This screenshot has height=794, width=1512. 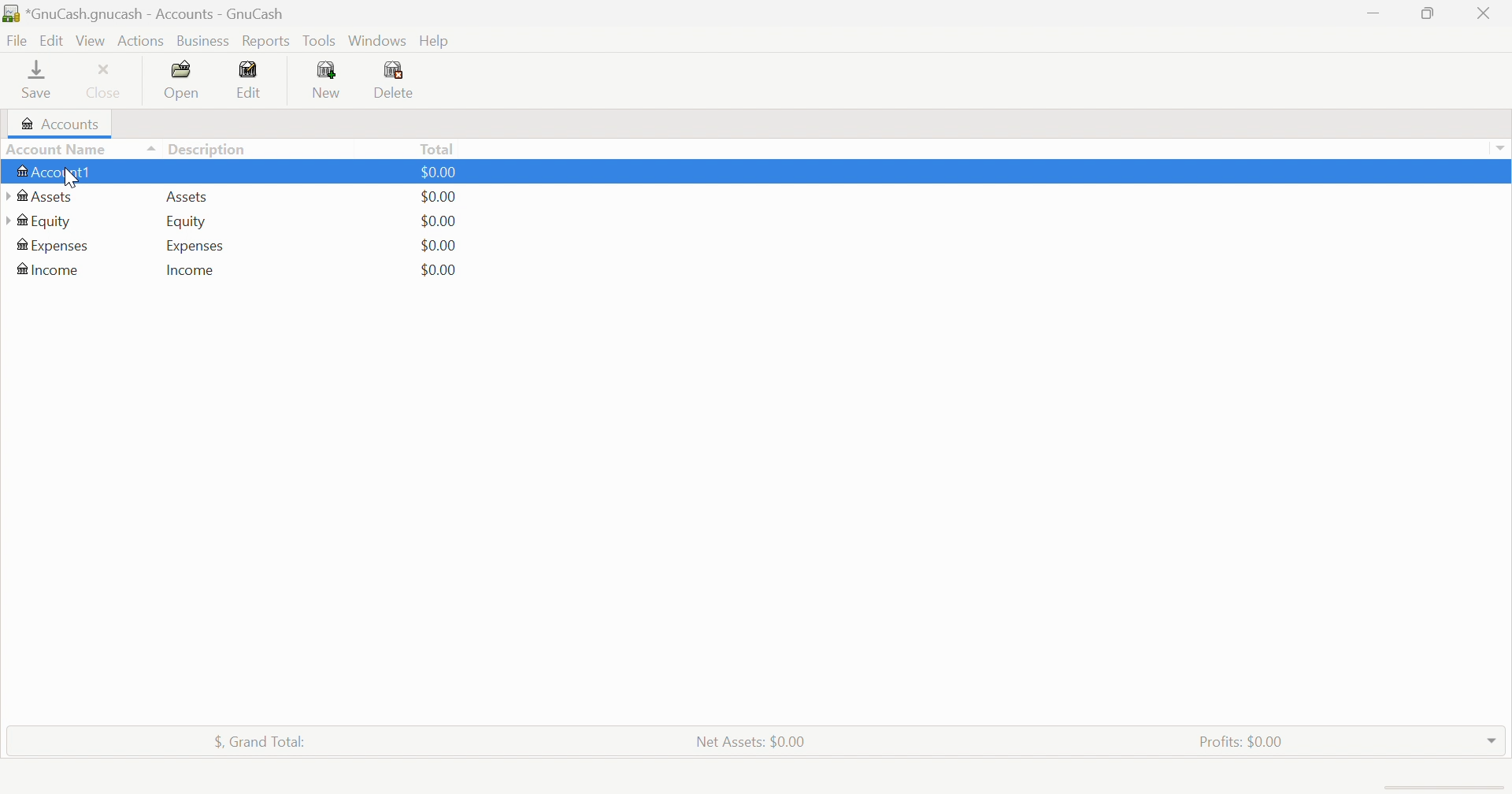 I want to click on Expenses, so click(x=50, y=246).